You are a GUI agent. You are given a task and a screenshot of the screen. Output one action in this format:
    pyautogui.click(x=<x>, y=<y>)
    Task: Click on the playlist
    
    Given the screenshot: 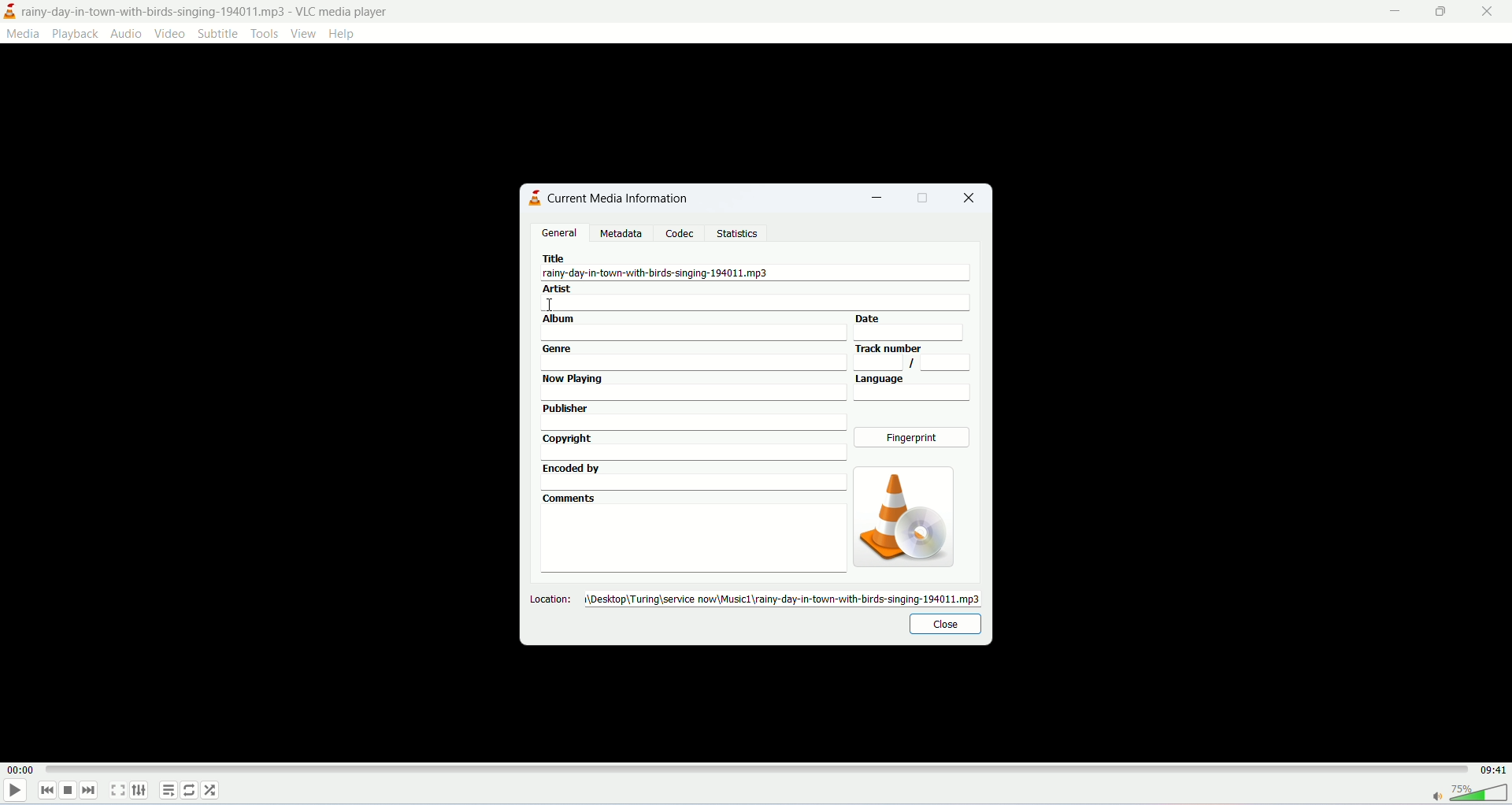 What is the action you would take?
    pyautogui.click(x=169, y=788)
    